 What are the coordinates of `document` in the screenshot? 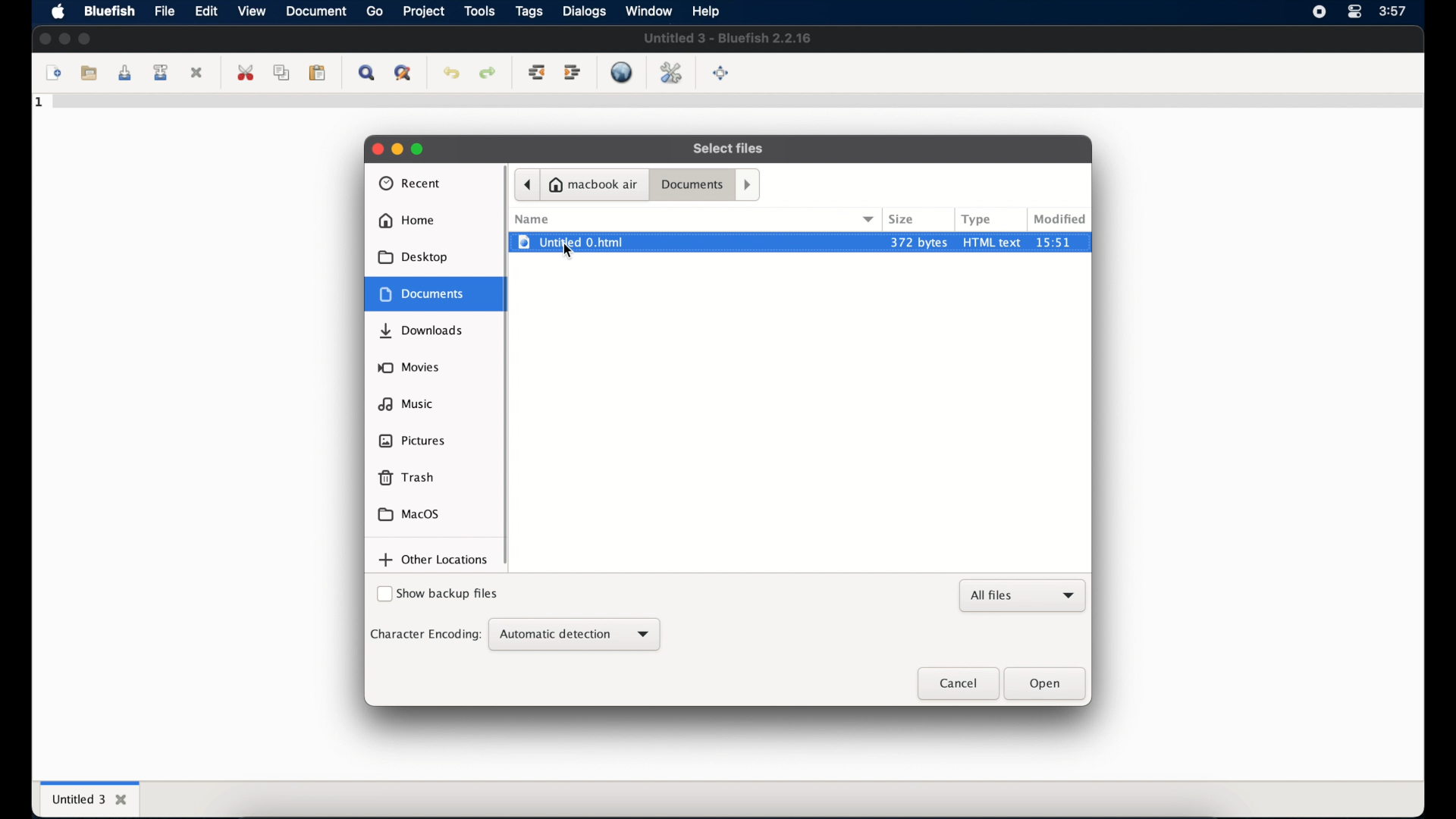 It's located at (317, 11).